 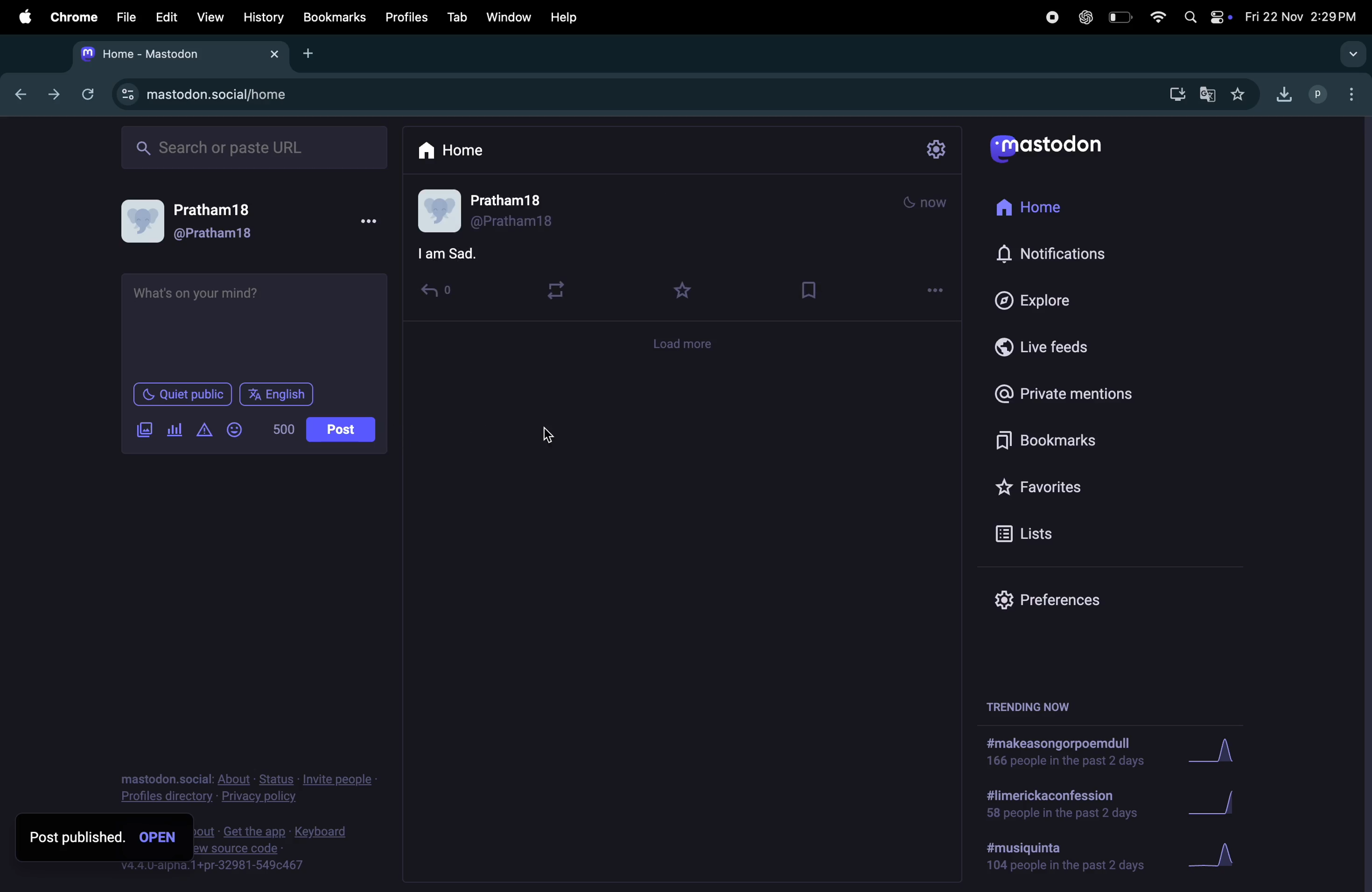 What do you see at coordinates (125, 17) in the screenshot?
I see `file` at bounding box center [125, 17].